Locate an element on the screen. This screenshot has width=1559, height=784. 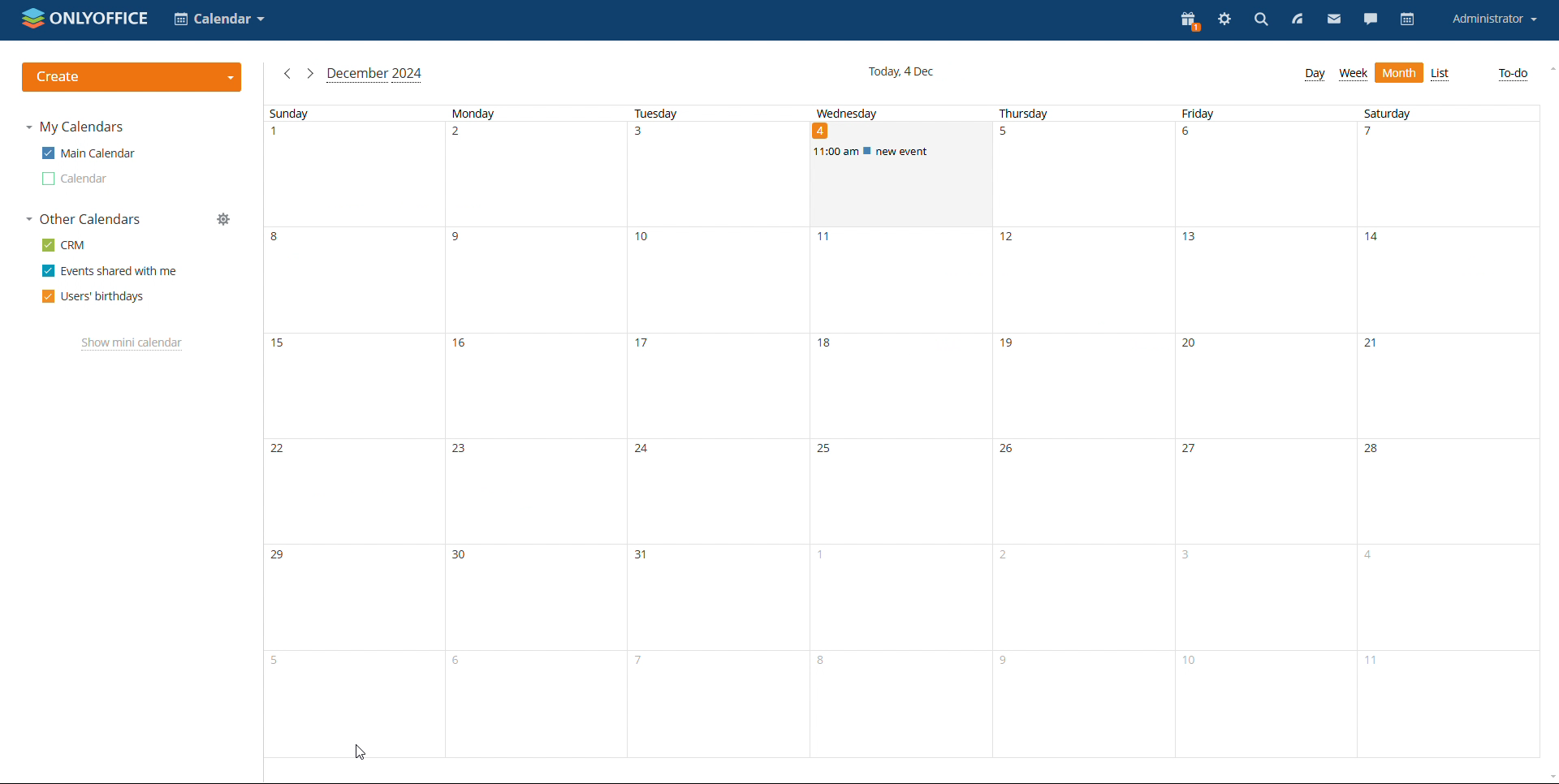
current date is located at coordinates (901, 72).